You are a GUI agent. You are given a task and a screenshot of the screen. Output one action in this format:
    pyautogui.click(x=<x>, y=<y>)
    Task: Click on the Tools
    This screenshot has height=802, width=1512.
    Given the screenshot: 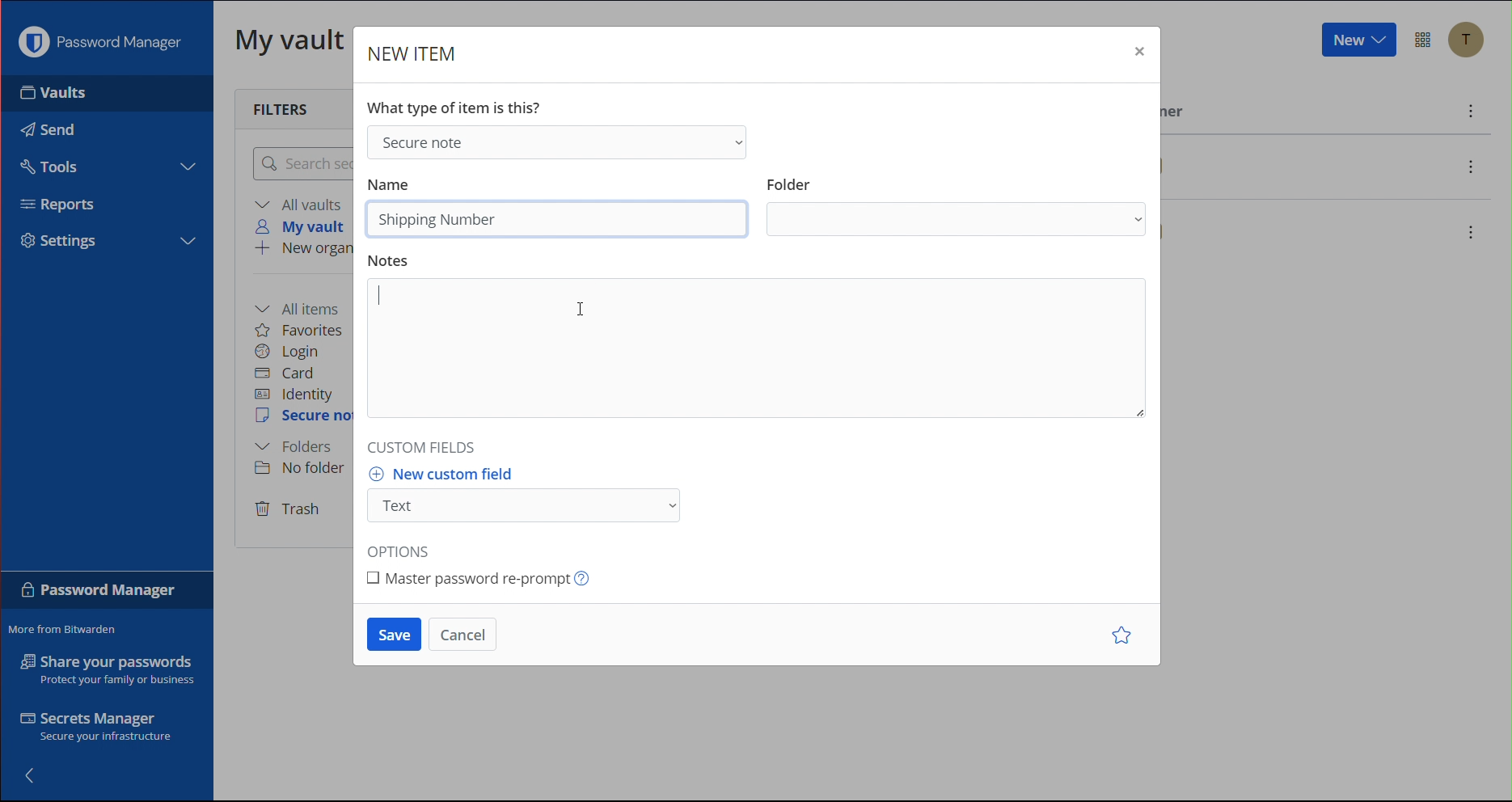 What is the action you would take?
    pyautogui.click(x=55, y=167)
    